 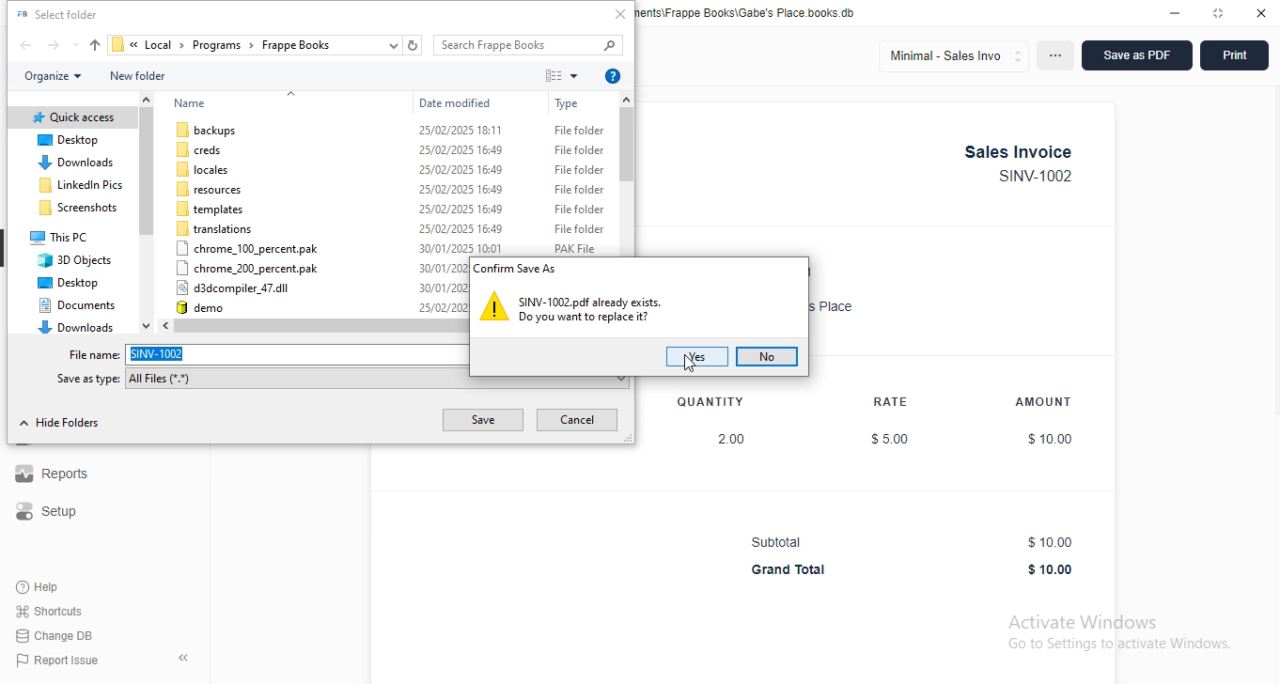 What do you see at coordinates (1055, 55) in the screenshot?
I see `options` at bounding box center [1055, 55].